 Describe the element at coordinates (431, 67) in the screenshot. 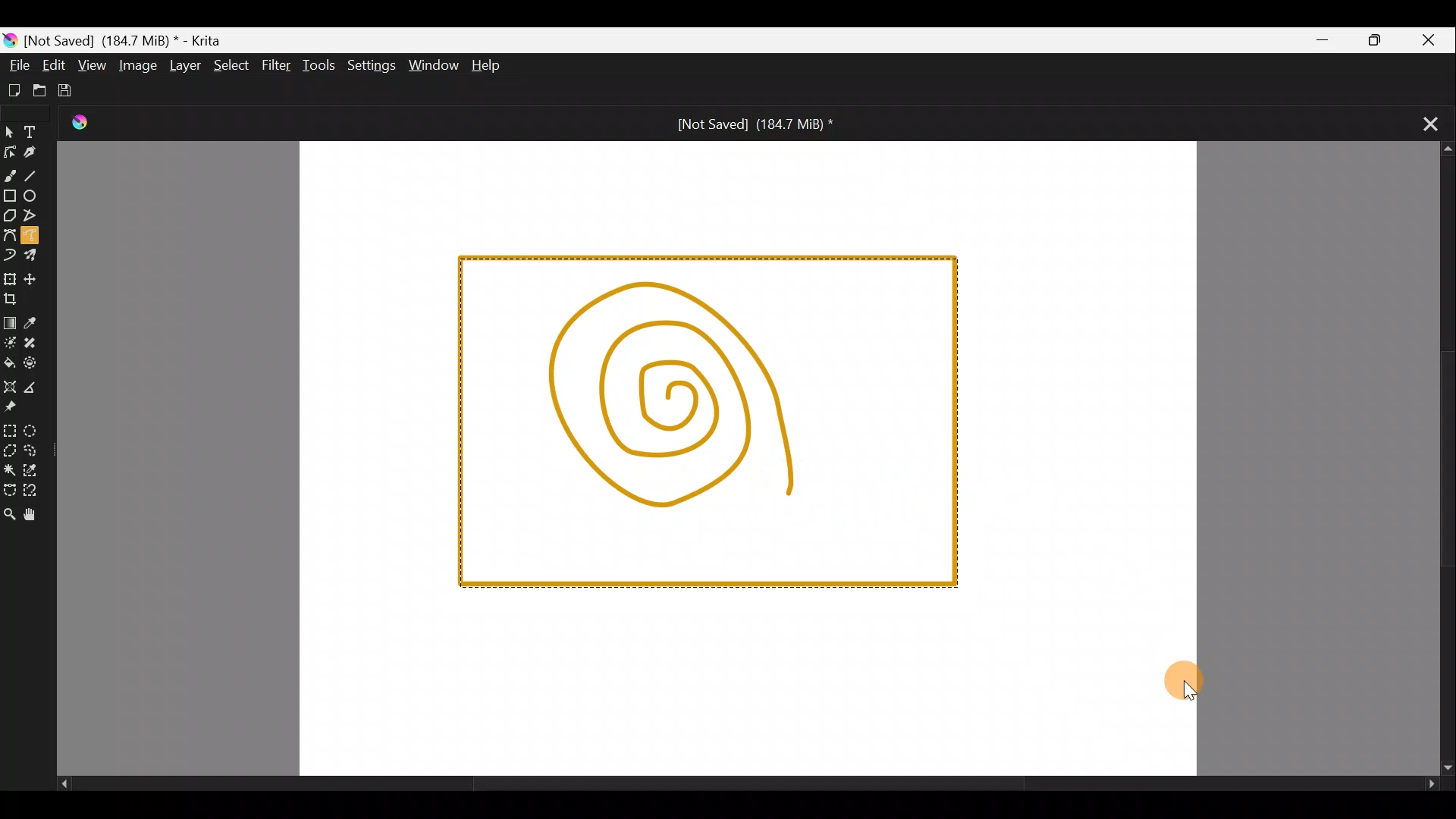

I see `Window` at that location.